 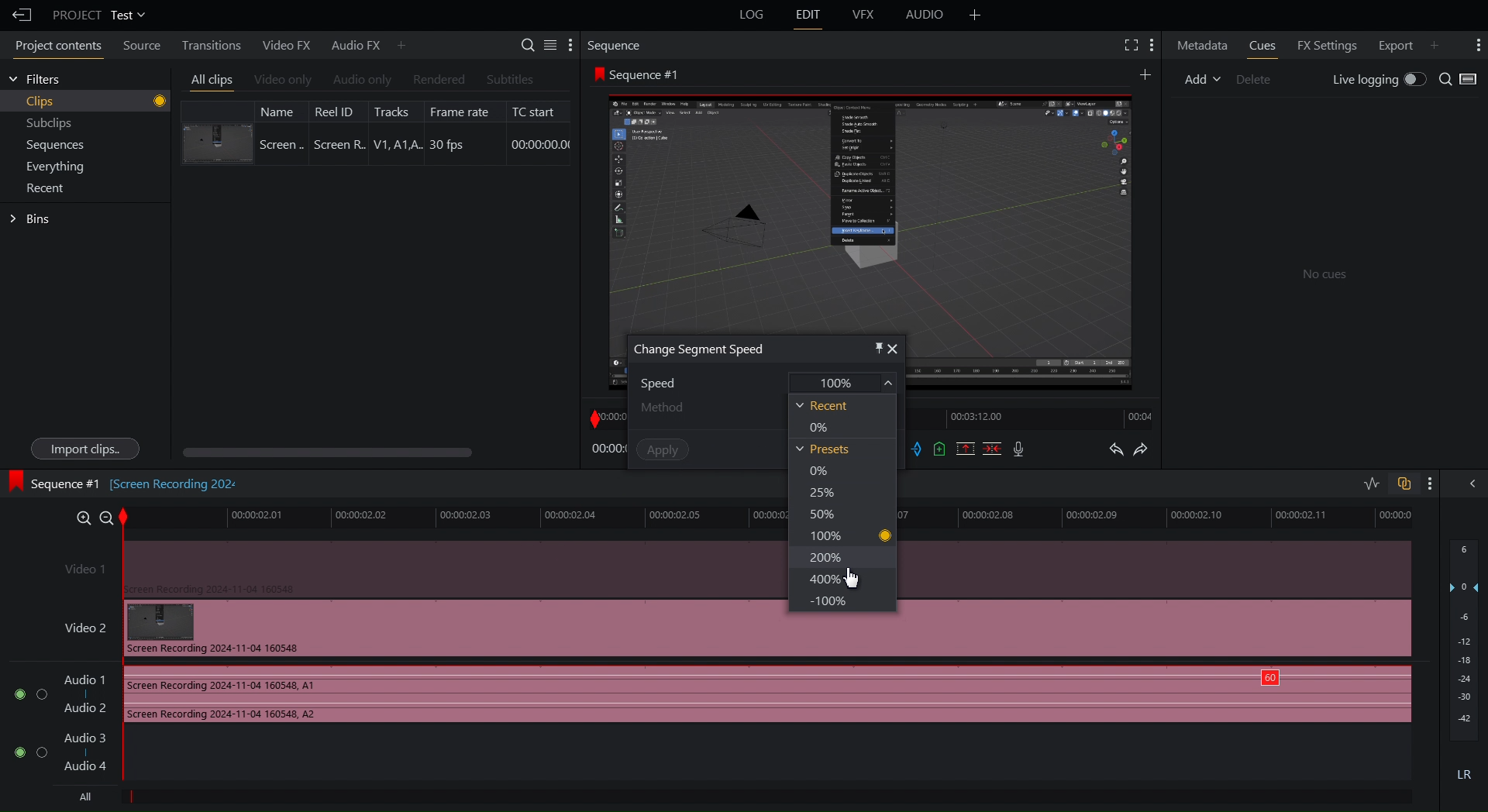 I want to click on 50%, so click(x=820, y=513).